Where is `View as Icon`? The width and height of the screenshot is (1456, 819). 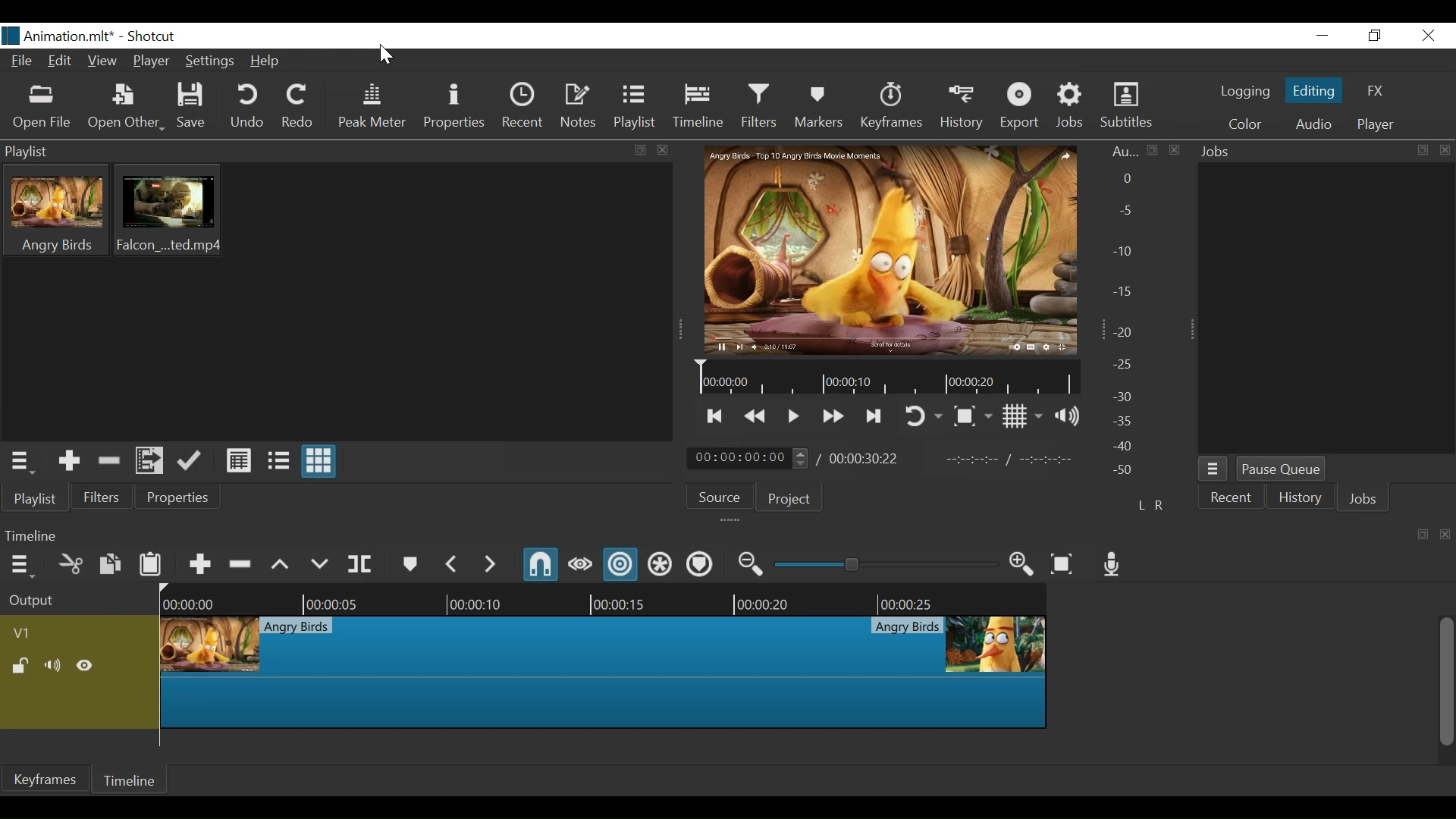 View as Icon is located at coordinates (320, 461).